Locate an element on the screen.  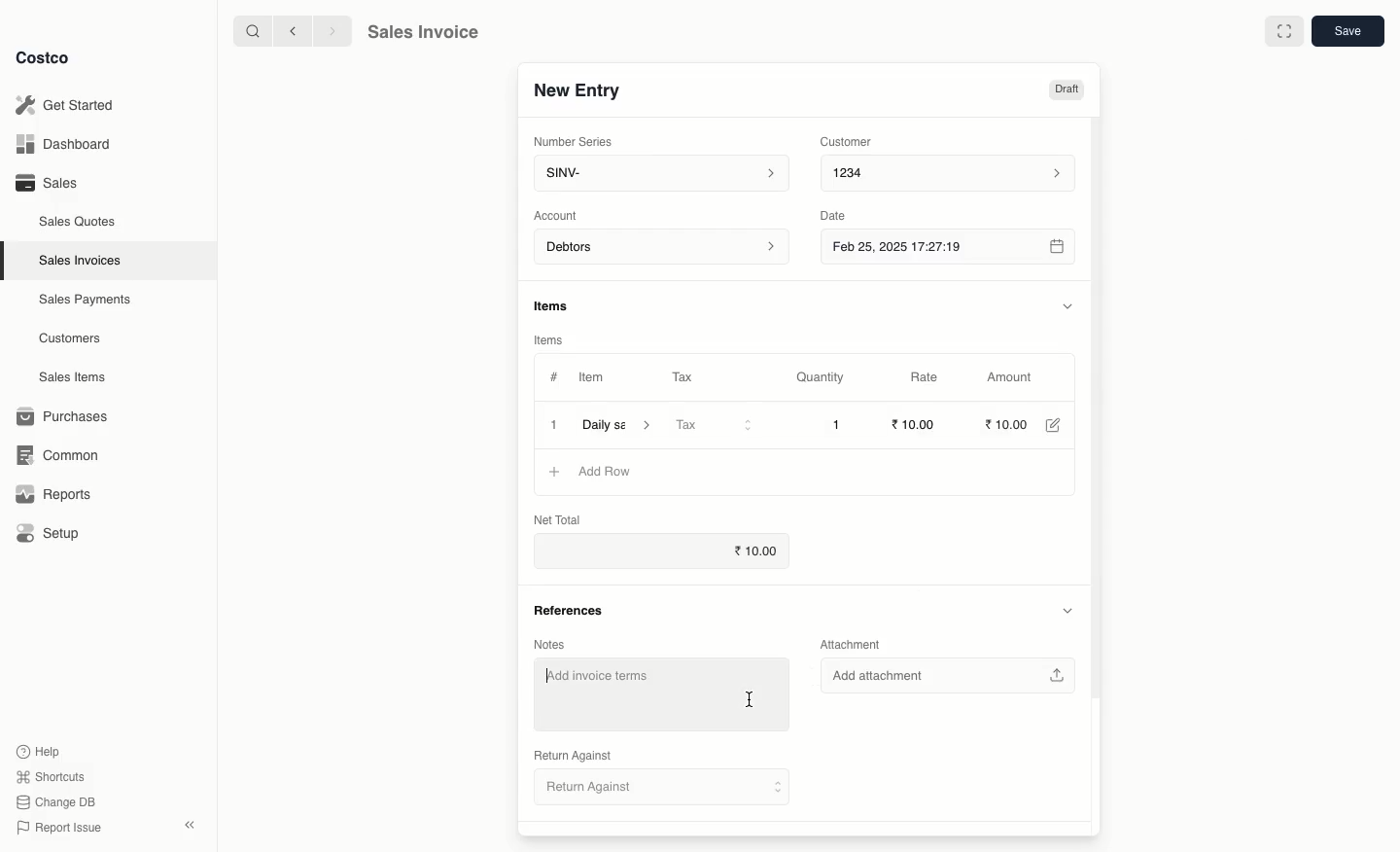
Add is located at coordinates (556, 472).